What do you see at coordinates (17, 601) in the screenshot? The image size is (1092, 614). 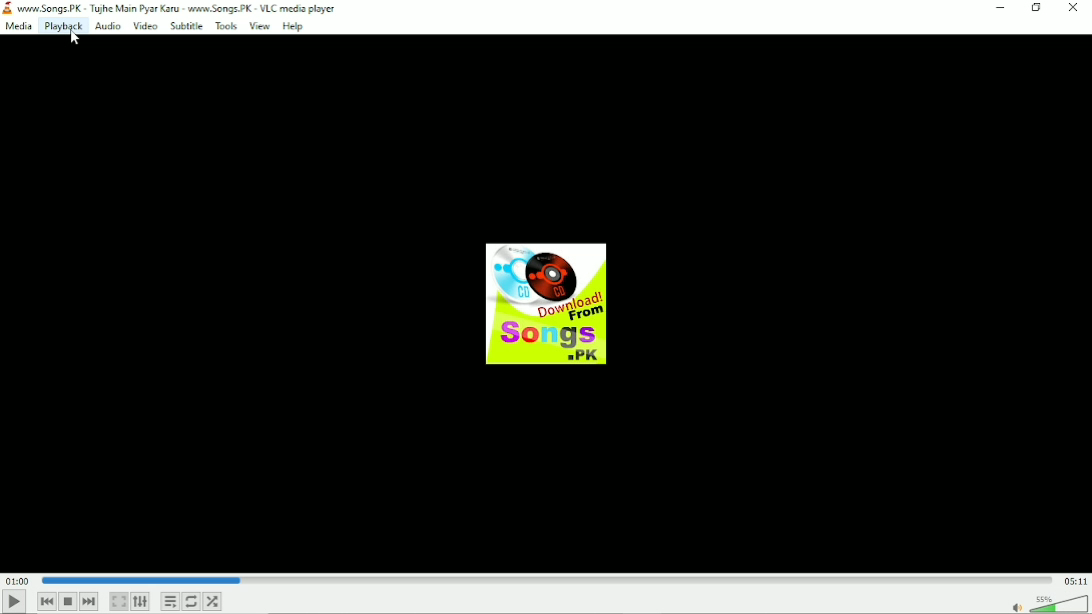 I see `Play` at bounding box center [17, 601].